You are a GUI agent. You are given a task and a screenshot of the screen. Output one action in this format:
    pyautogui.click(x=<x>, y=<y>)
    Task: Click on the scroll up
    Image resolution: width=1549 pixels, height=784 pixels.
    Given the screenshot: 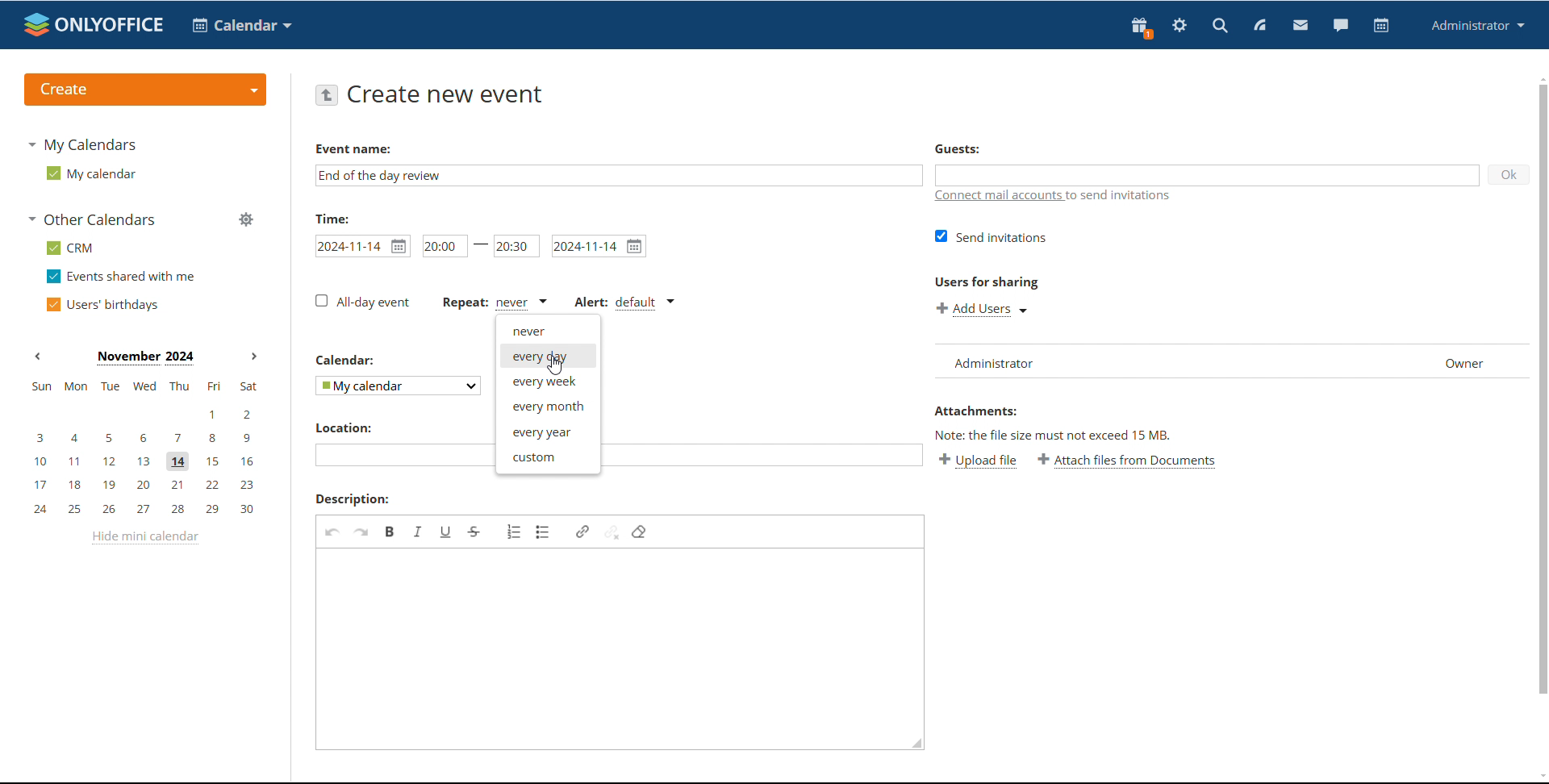 What is the action you would take?
    pyautogui.click(x=1539, y=77)
    